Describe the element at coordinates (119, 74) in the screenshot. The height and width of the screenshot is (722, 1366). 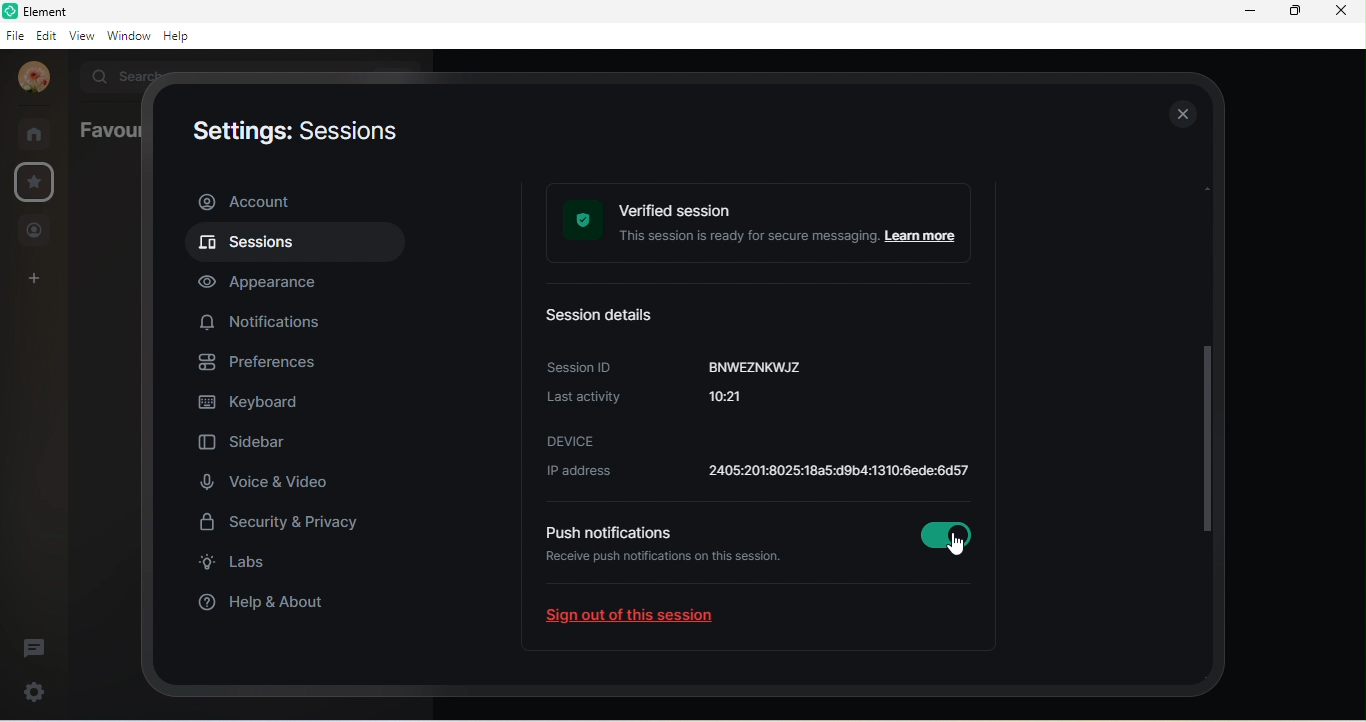
I see `search` at that location.